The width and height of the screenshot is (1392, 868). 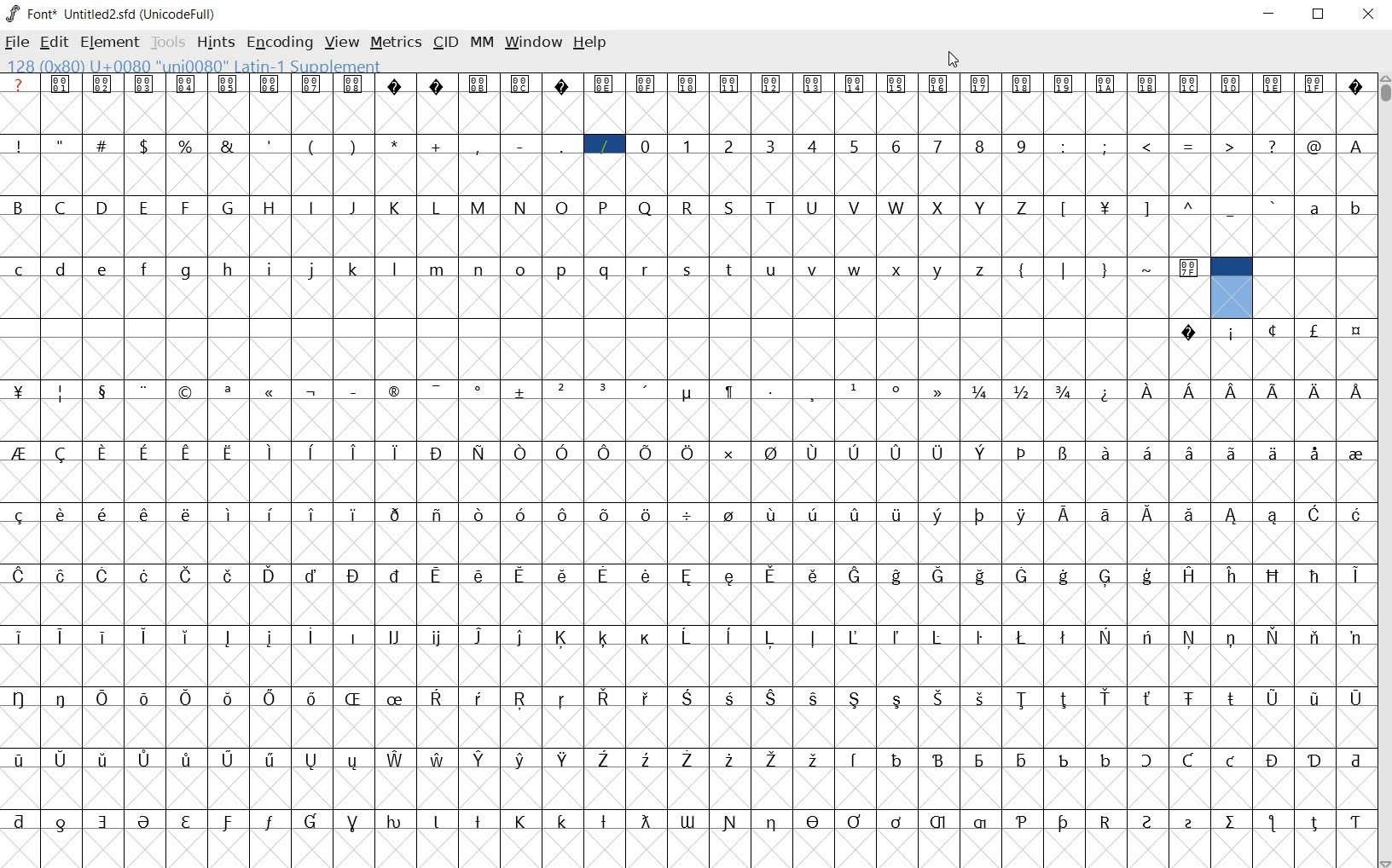 I want to click on D, so click(x=104, y=208).